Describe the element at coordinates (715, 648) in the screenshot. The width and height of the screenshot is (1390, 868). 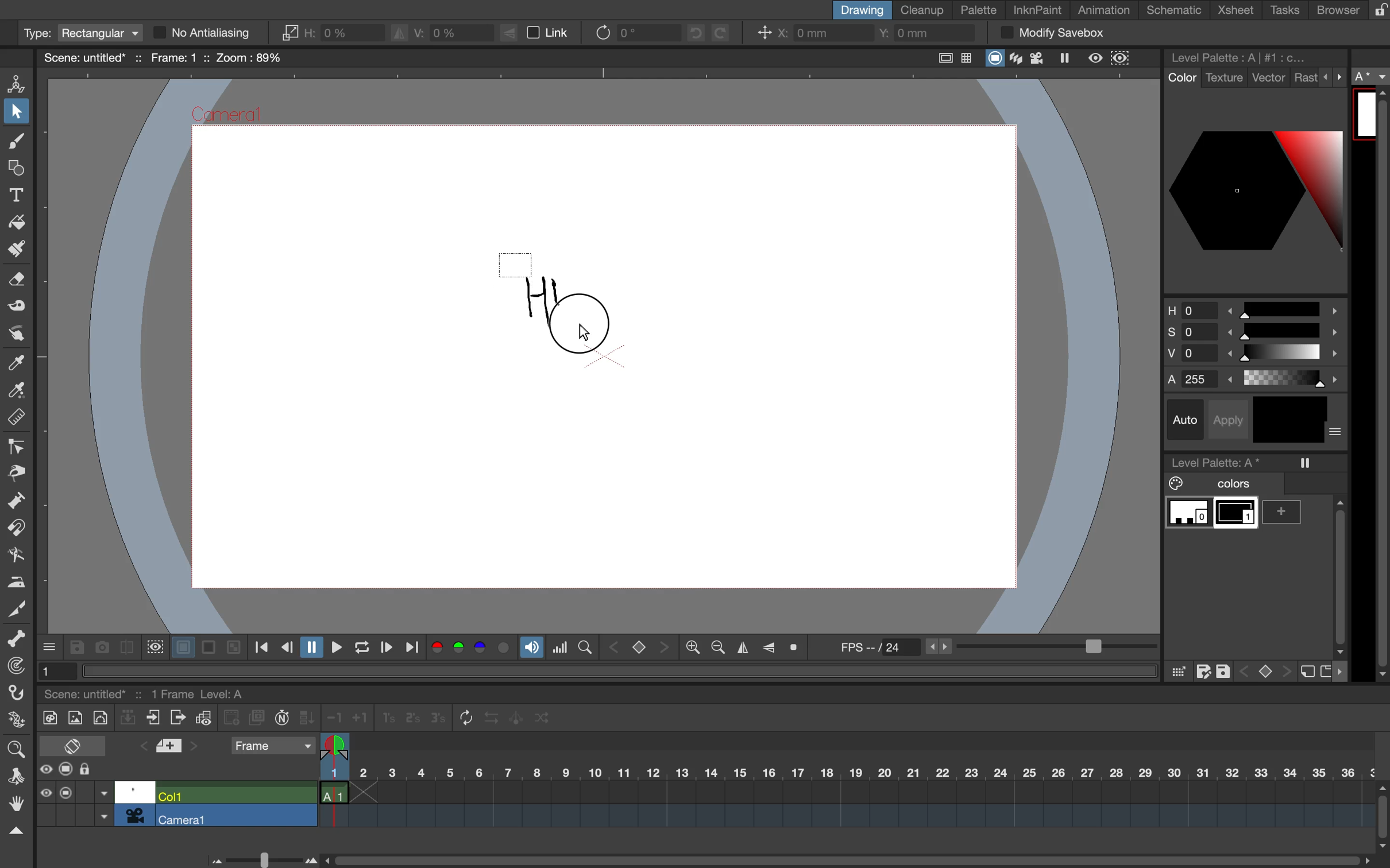
I see `zoom in` at that location.